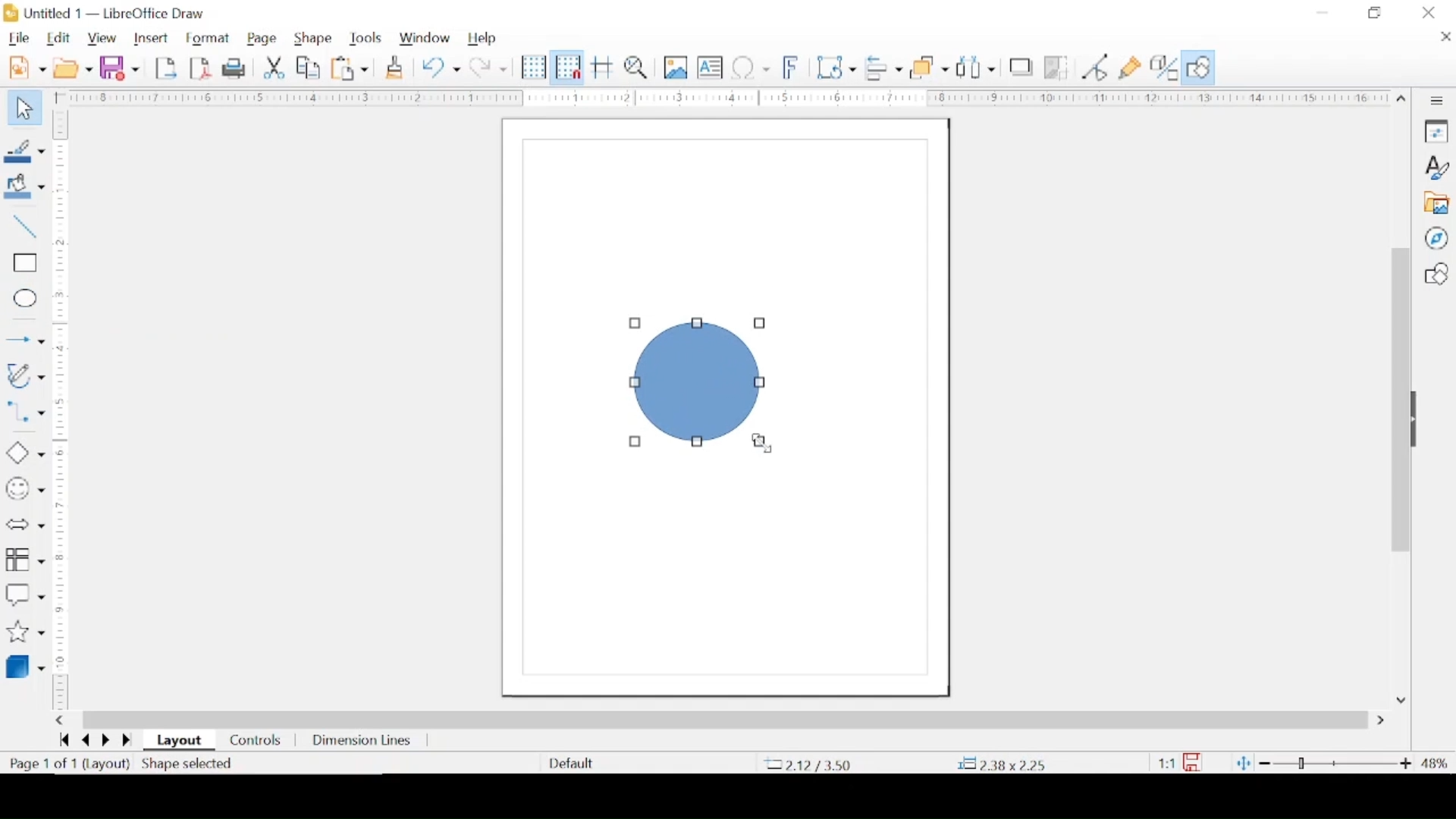 This screenshot has height=819, width=1456. I want to click on resize handle, so click(759, 438).